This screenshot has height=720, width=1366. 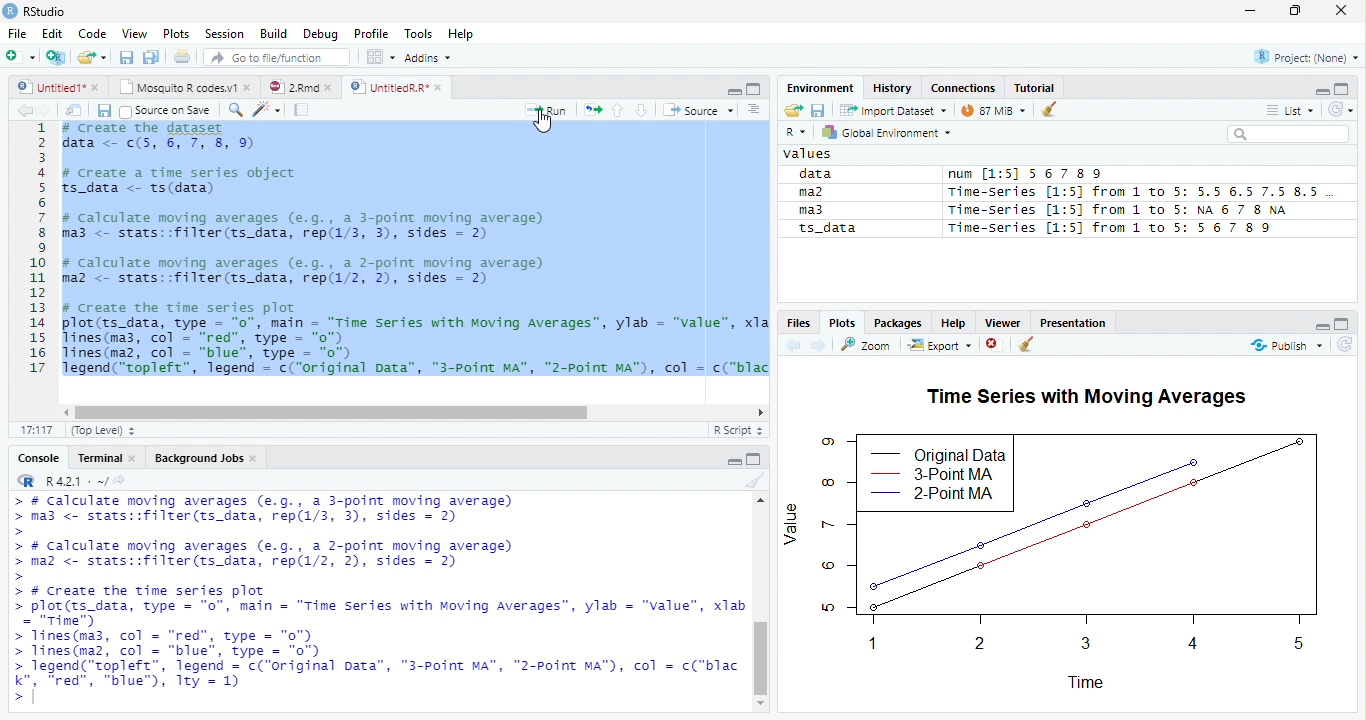 What do you see at coordinates (1283, 346) in the screenshot?
I see `Publish` at bounding box center [1283, 346].